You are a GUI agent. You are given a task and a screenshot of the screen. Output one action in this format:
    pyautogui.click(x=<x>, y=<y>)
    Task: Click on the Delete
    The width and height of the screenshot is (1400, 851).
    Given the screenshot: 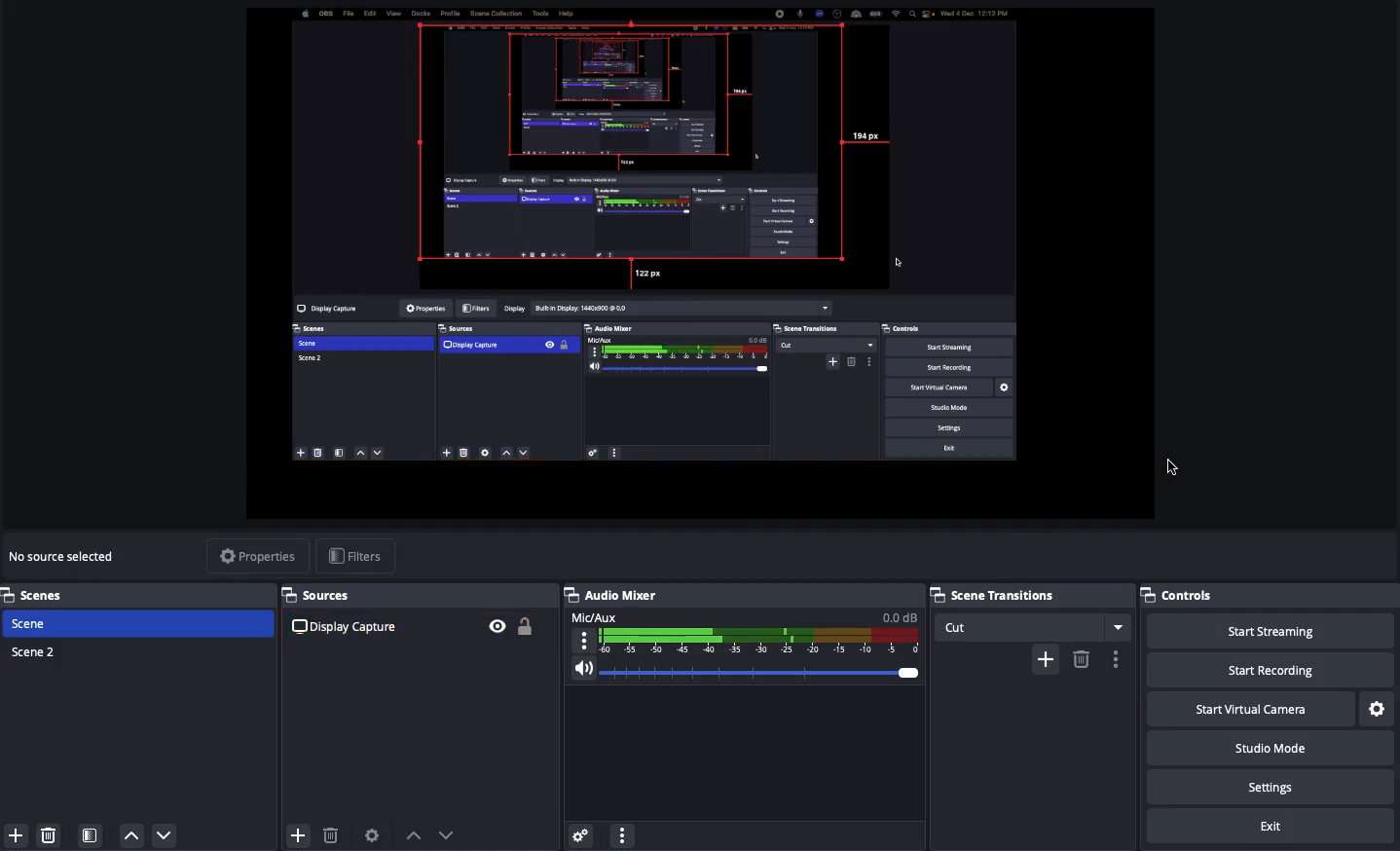 What is the action you would take?
    pyautogui.click(x=52, y=834)
    